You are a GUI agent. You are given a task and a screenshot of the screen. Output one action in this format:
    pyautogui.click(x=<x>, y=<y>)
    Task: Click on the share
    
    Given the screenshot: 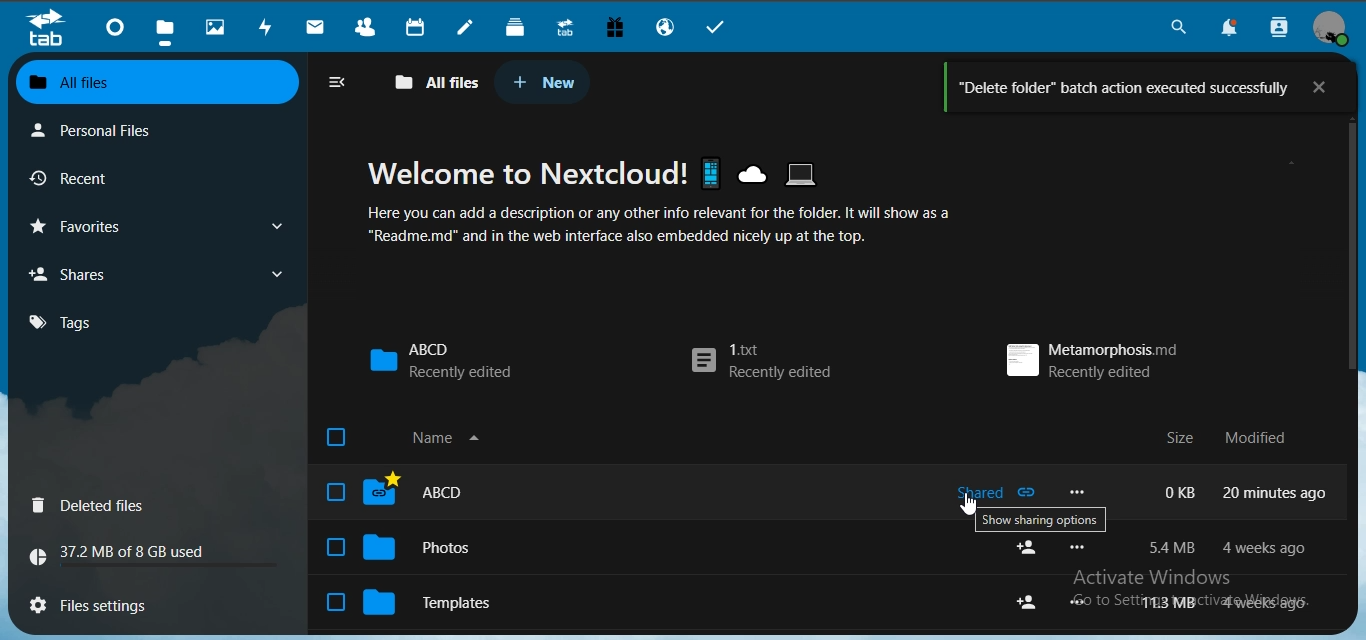 What is the action you would take?
    pyautogui.click(x=1030, y=601)
    